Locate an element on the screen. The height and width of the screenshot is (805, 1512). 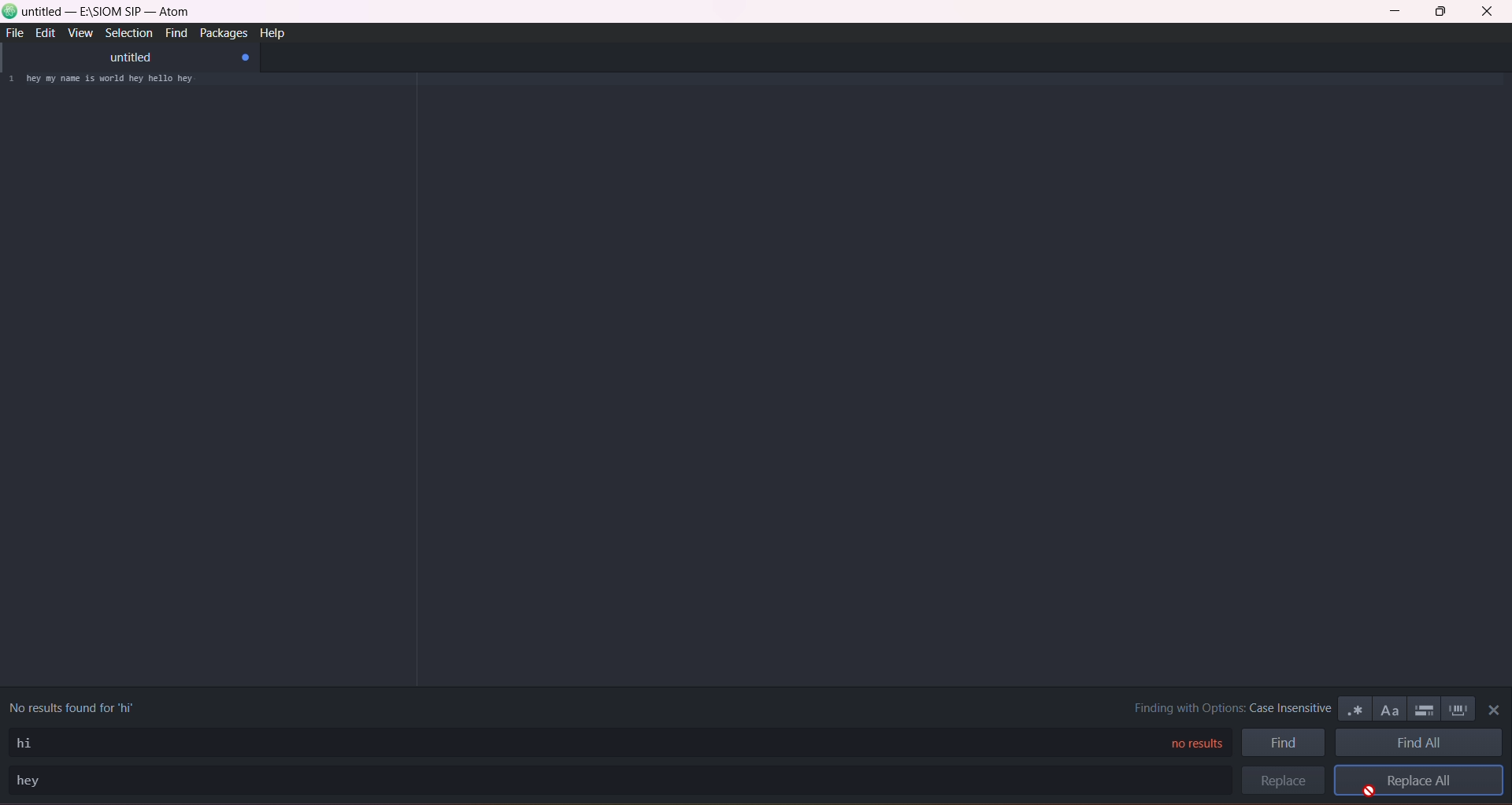
whole word is located at coordinates (1458, 708).